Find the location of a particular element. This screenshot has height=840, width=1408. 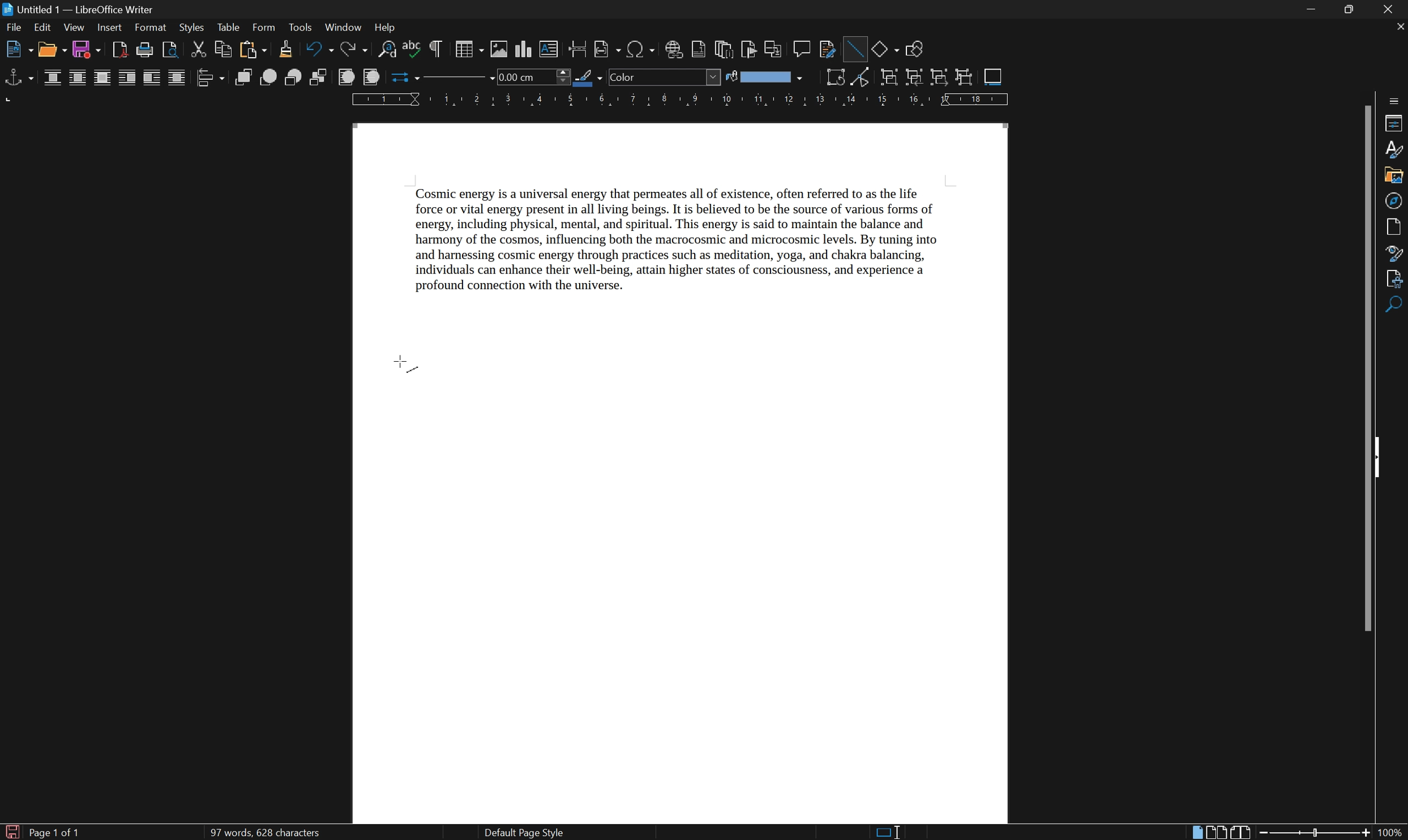

slider is located at coordinates (1317, 832).